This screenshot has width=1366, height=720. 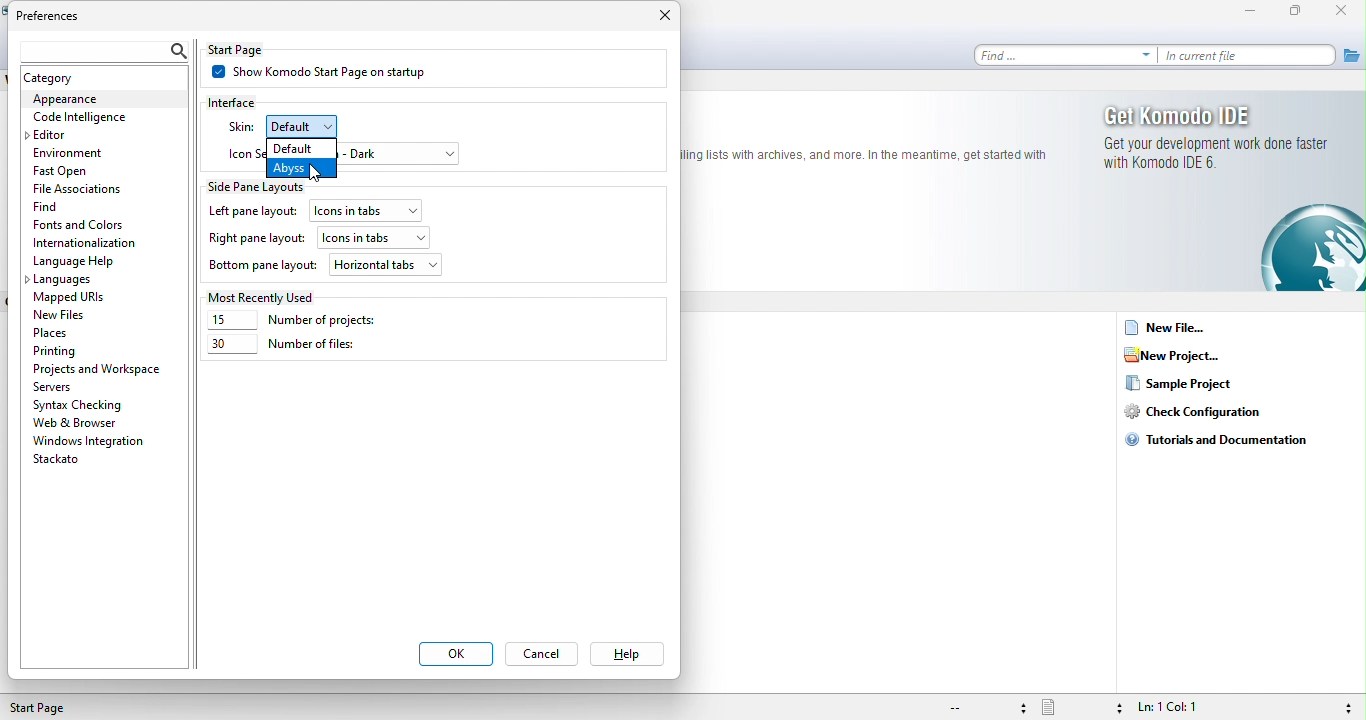 What do you see at coordinates (1189, 707) in the screenshot?
I see `ln 1, col 1` at bounding box center [1189, 707].